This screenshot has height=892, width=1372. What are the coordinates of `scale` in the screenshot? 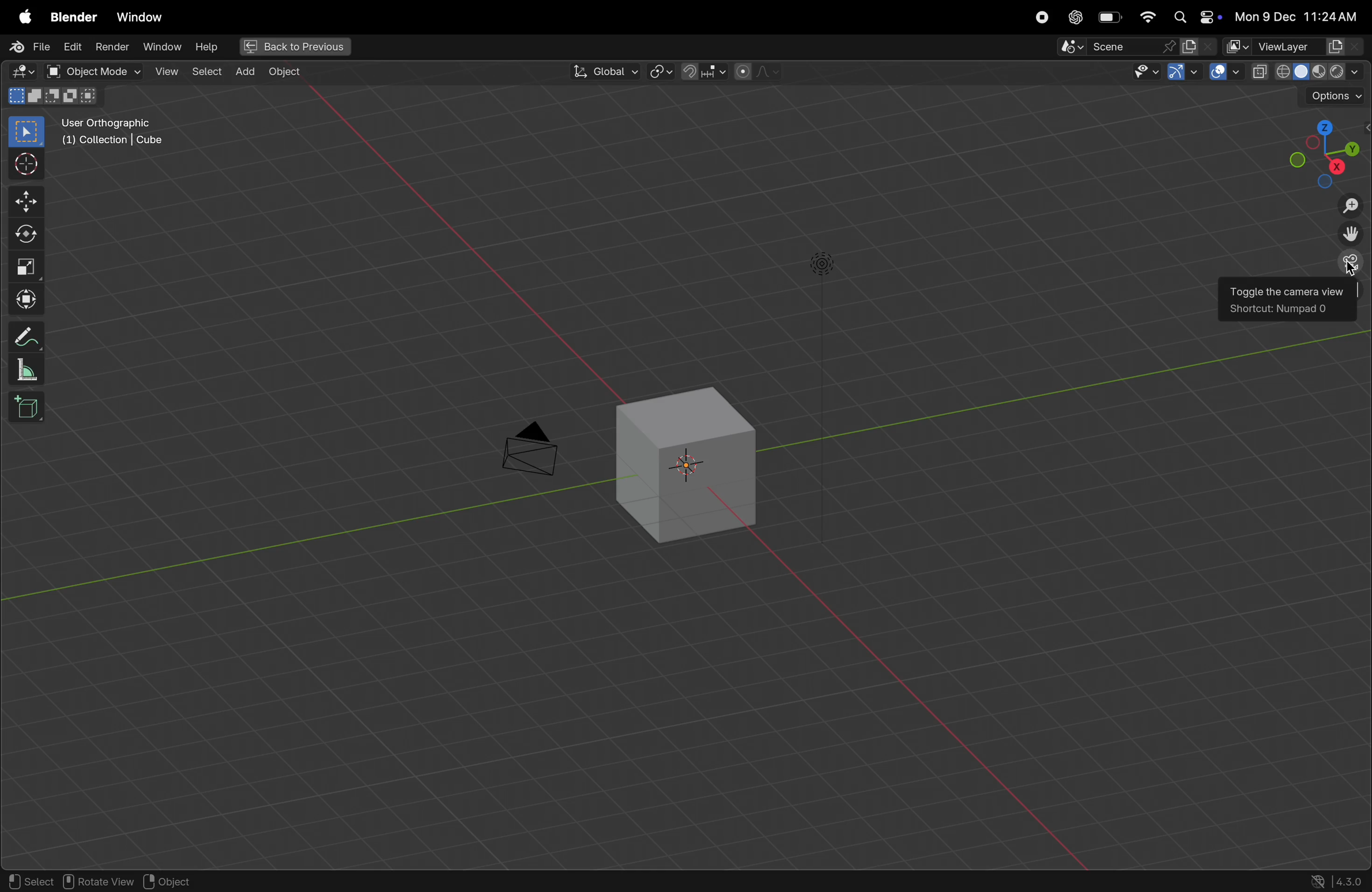 It's located at (29, 266).